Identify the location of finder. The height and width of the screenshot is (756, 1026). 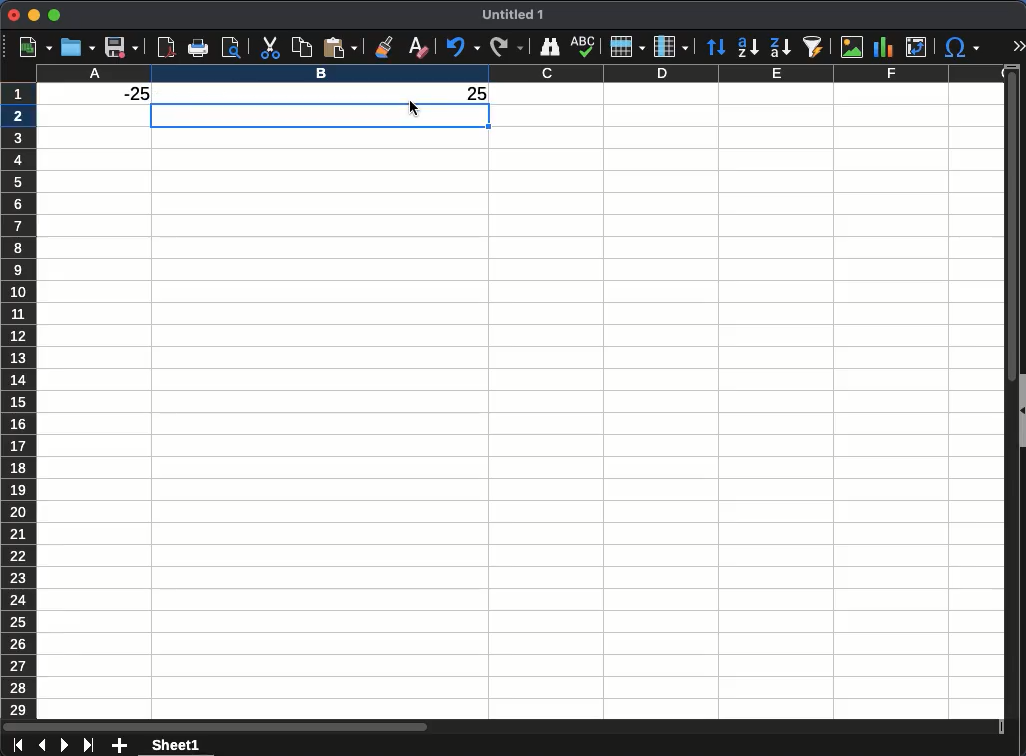
(551, 47).